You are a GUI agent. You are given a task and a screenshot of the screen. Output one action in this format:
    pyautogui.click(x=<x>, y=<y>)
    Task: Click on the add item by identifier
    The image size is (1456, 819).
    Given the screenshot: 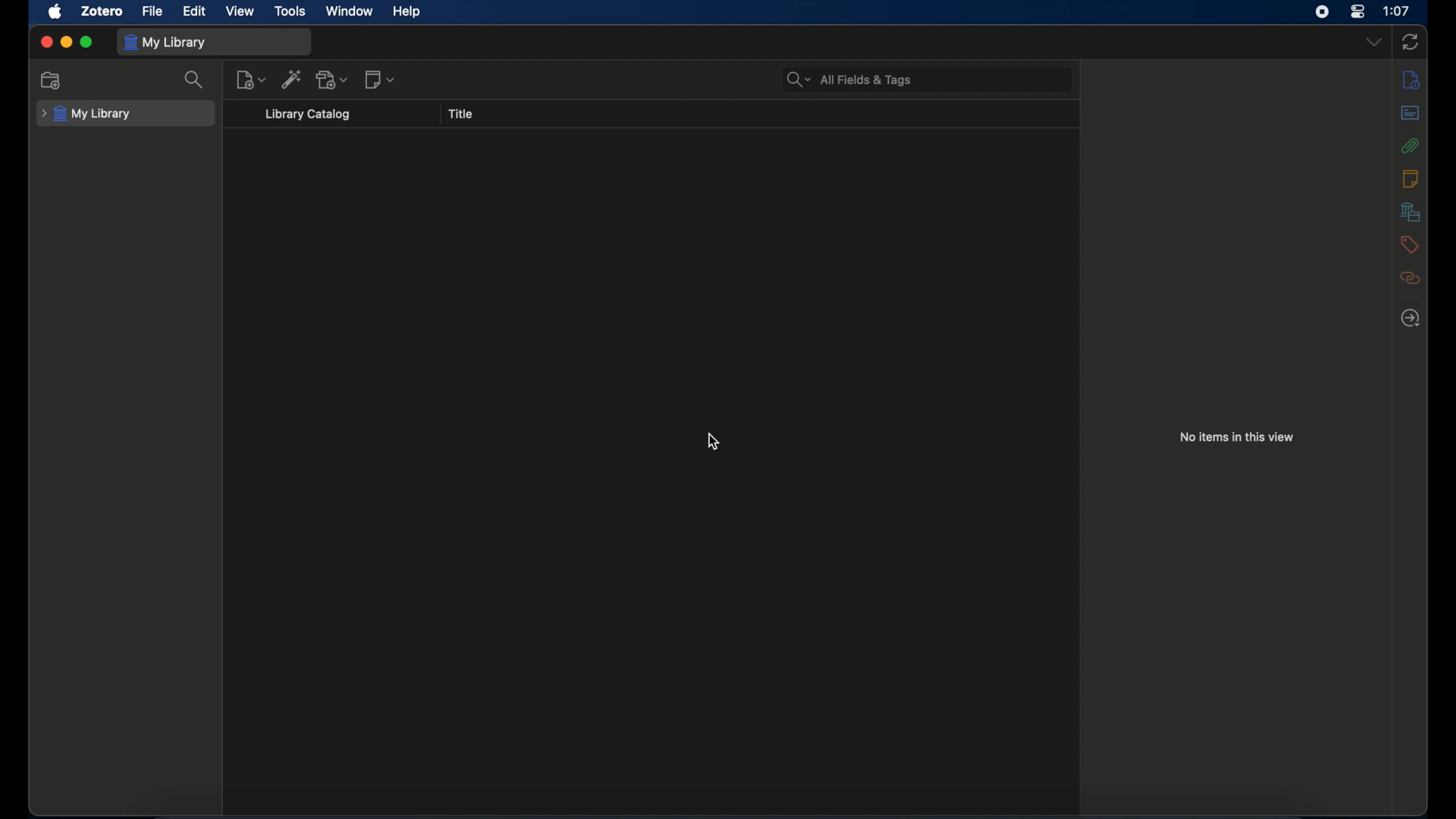 What is the action you would take?
    pyautogui.click(x=292, y=79)
    